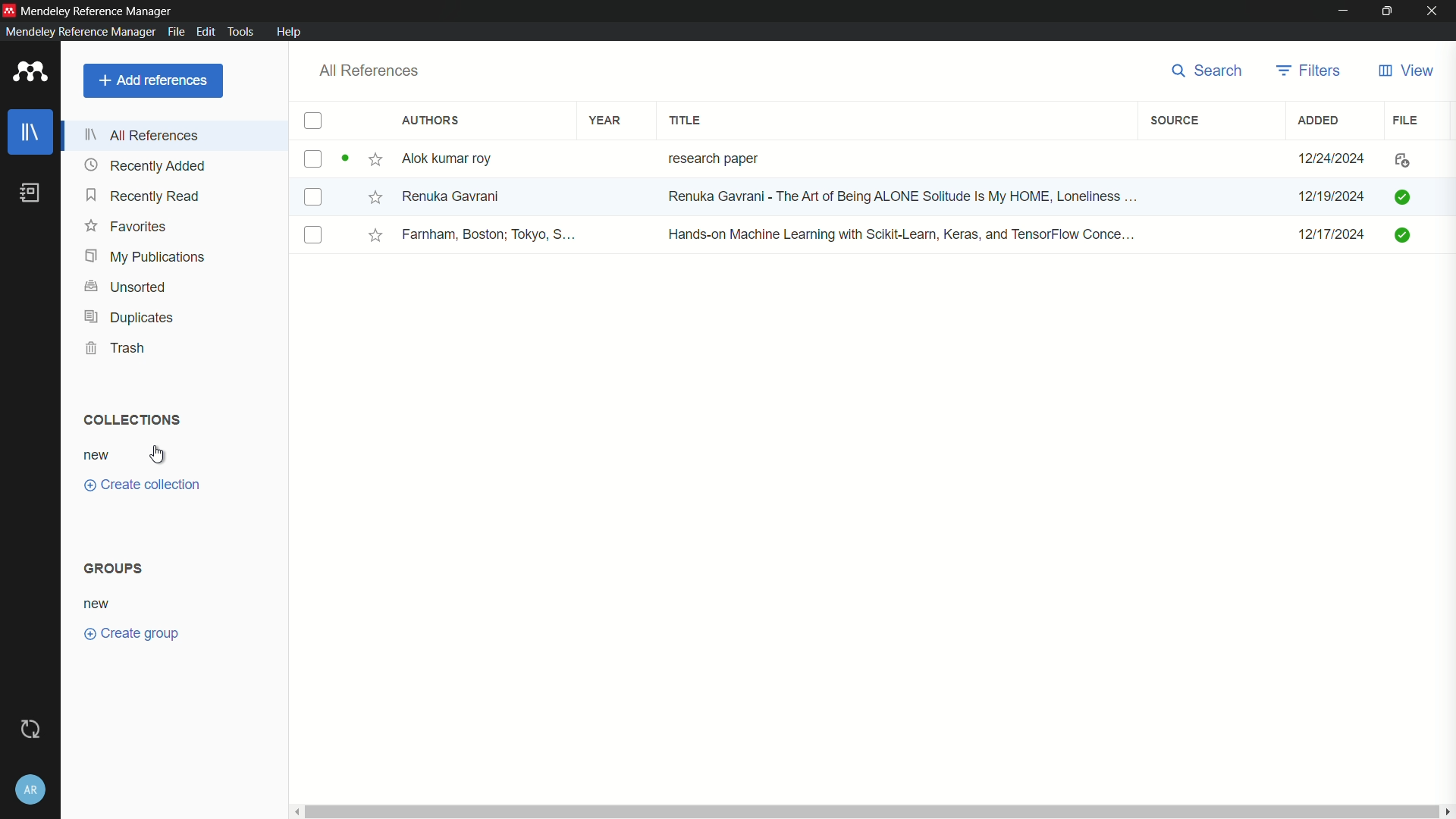 The width and height of the screenshot is (1456, 819). What do you see at coordinates (149, 257) in the screenshot?
I see `my publications` at bounding box center [149, 257].